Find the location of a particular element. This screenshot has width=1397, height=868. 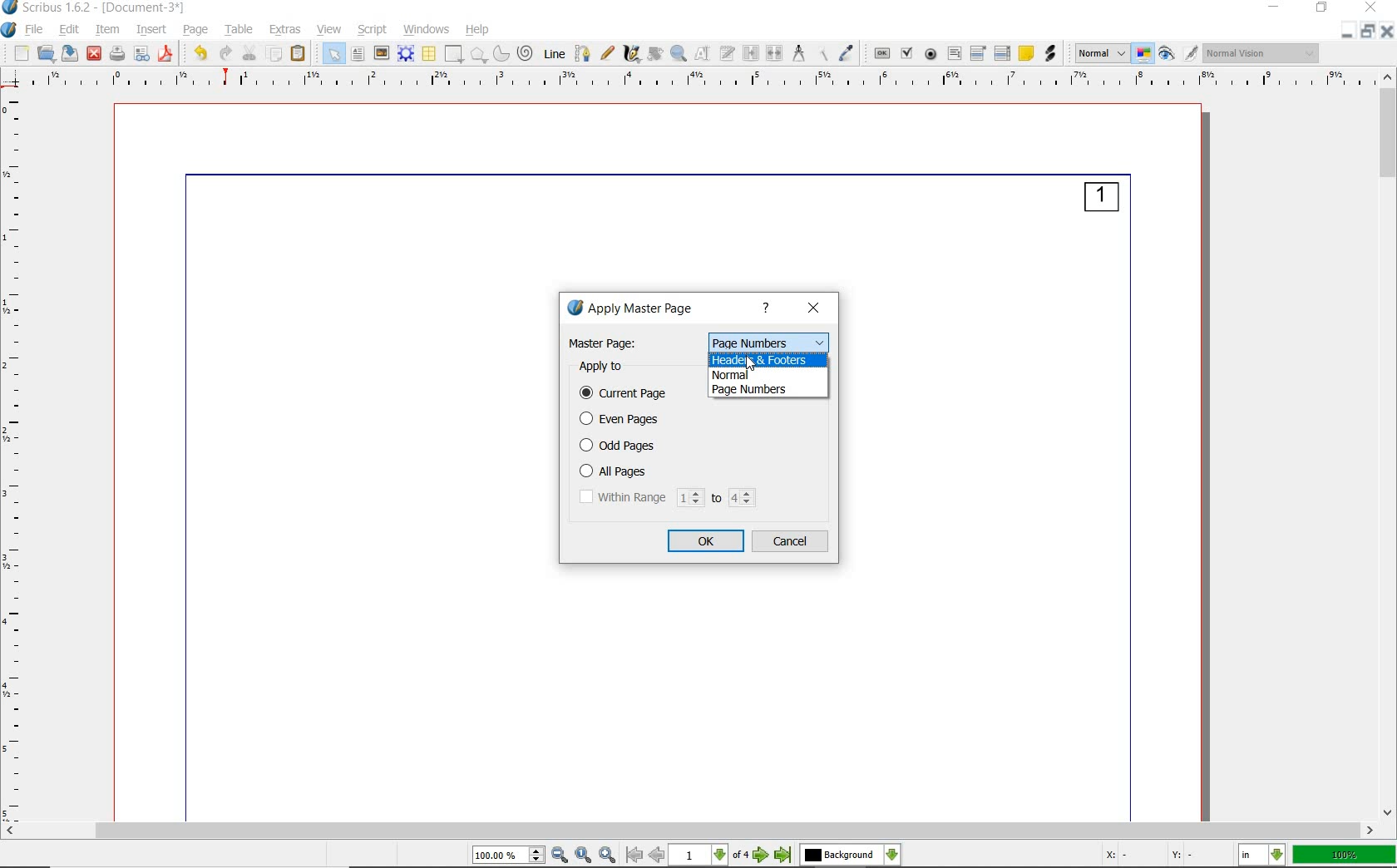

shape is located at coordinates (454, 54).